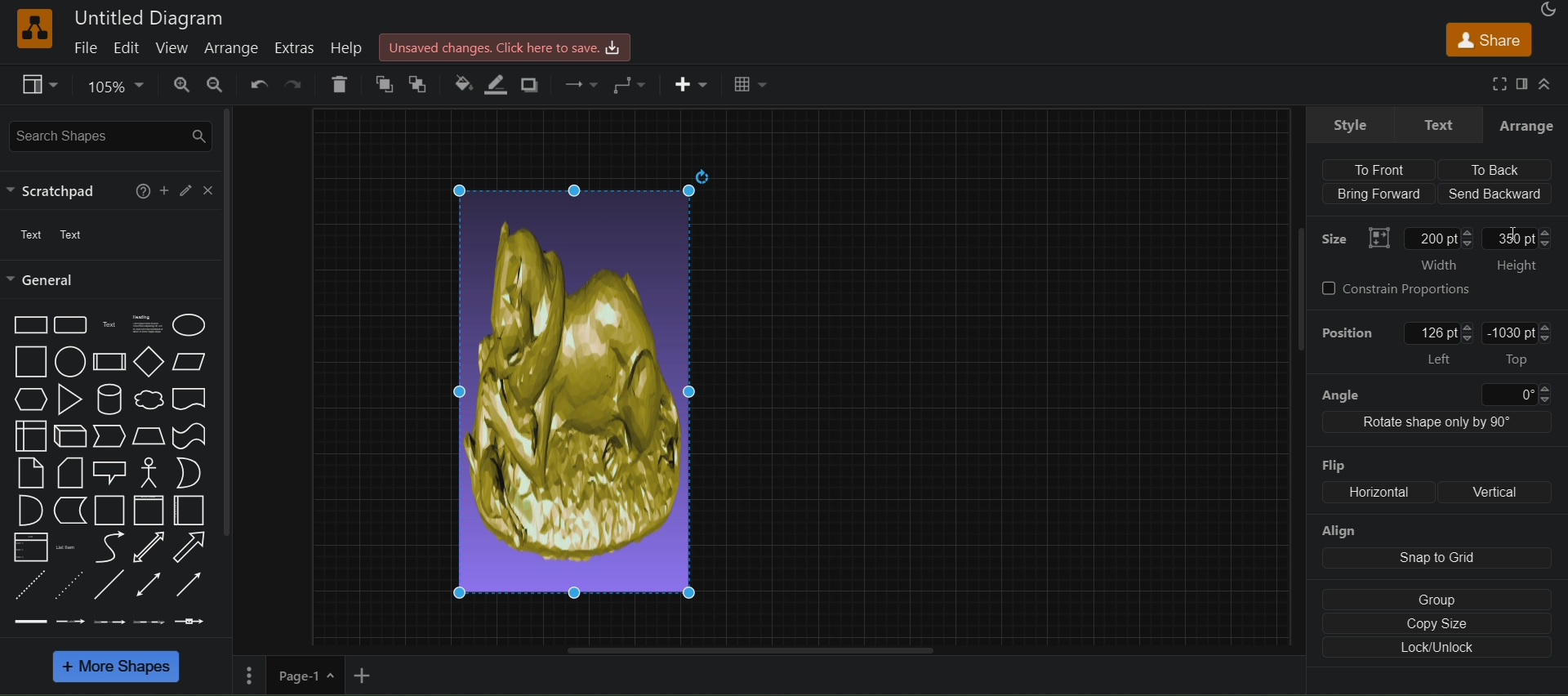  Describe the element at coordinates (106, 471) in the screenshot. I see `shapes` at that location.